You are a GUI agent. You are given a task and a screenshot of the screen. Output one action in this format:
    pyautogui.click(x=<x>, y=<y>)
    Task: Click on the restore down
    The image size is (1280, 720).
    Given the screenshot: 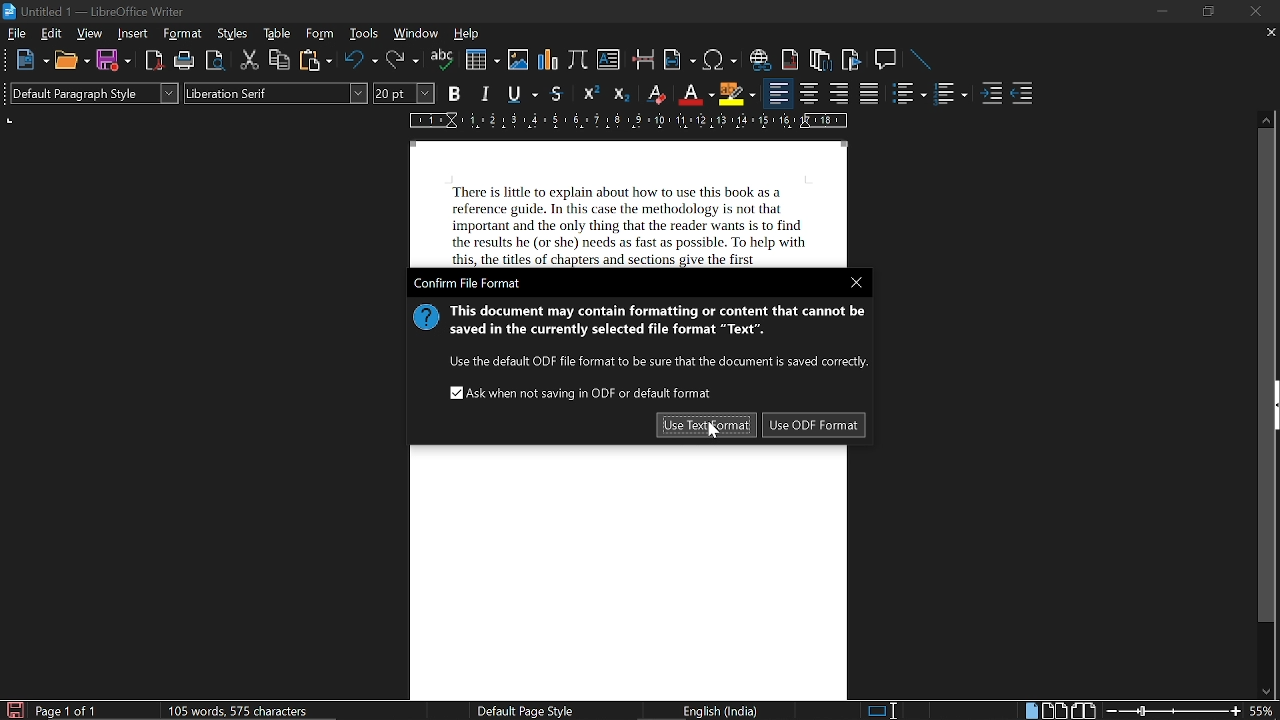 What is the action you would take?
    pyautogui.click(x=1206, y=12)
    